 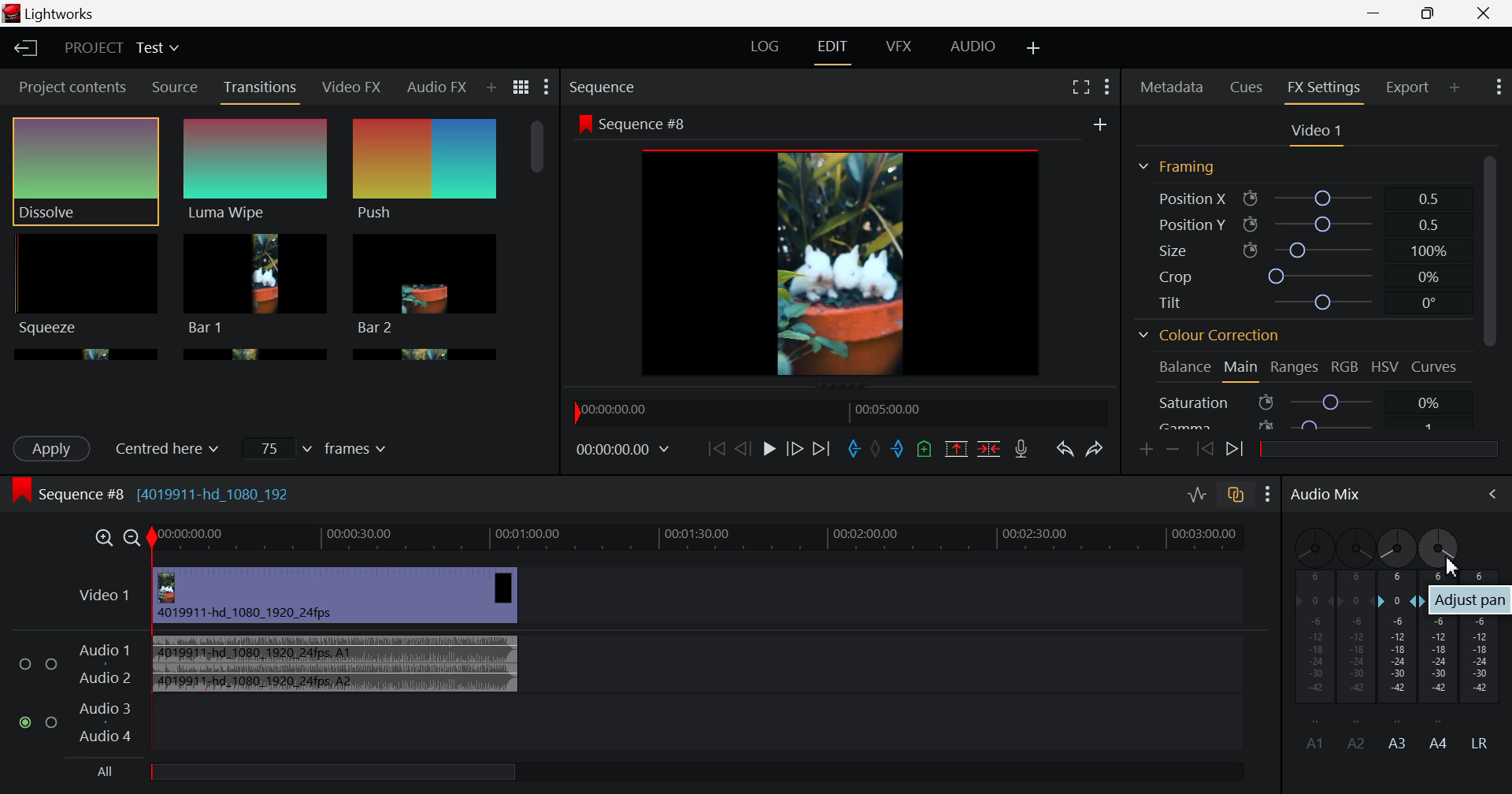 I want to click on Add Layout, so click(x=1032, y=47).